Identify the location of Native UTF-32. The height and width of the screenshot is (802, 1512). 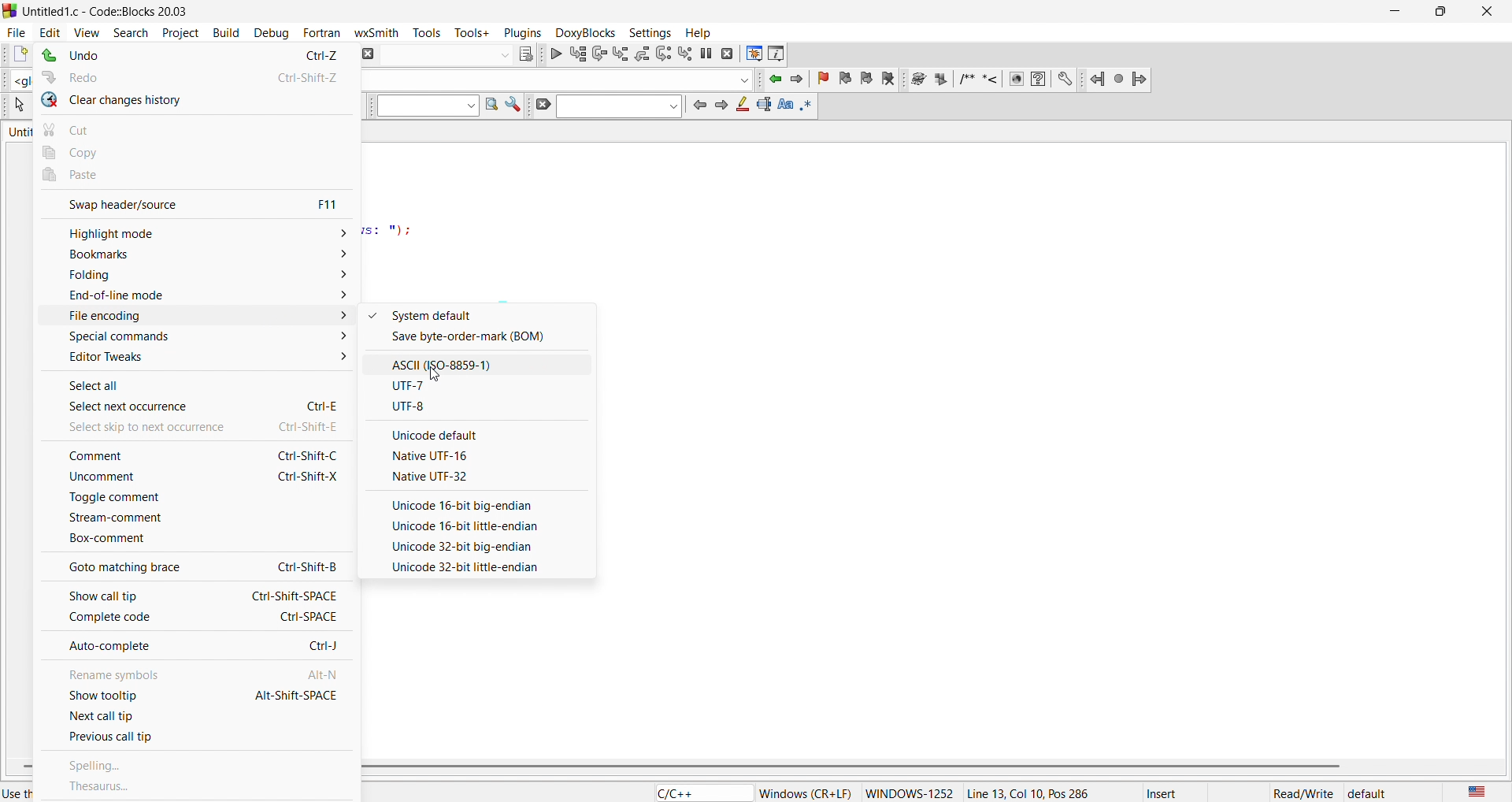
(478, 475).